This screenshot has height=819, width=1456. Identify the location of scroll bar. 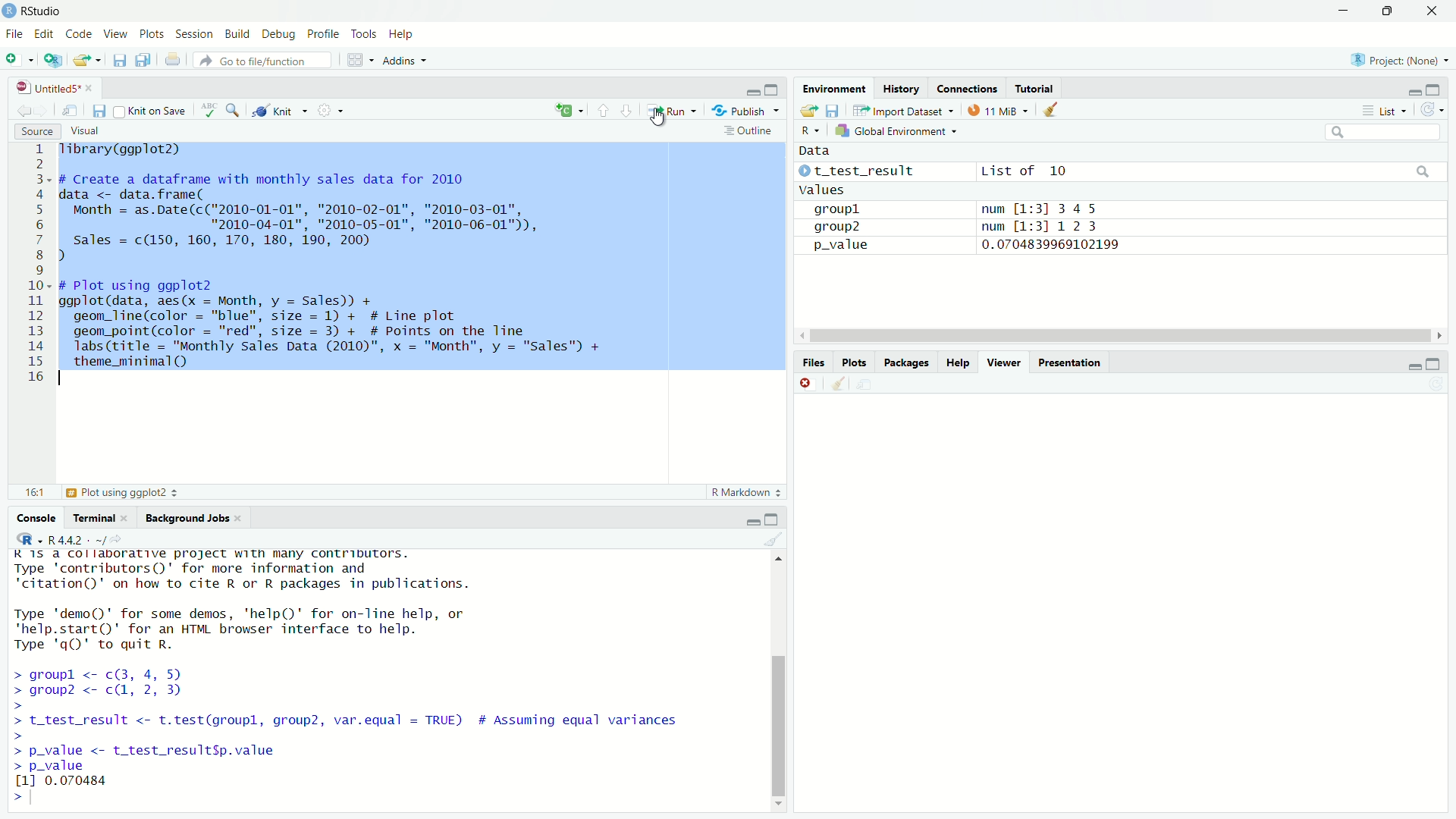
(775, 679).